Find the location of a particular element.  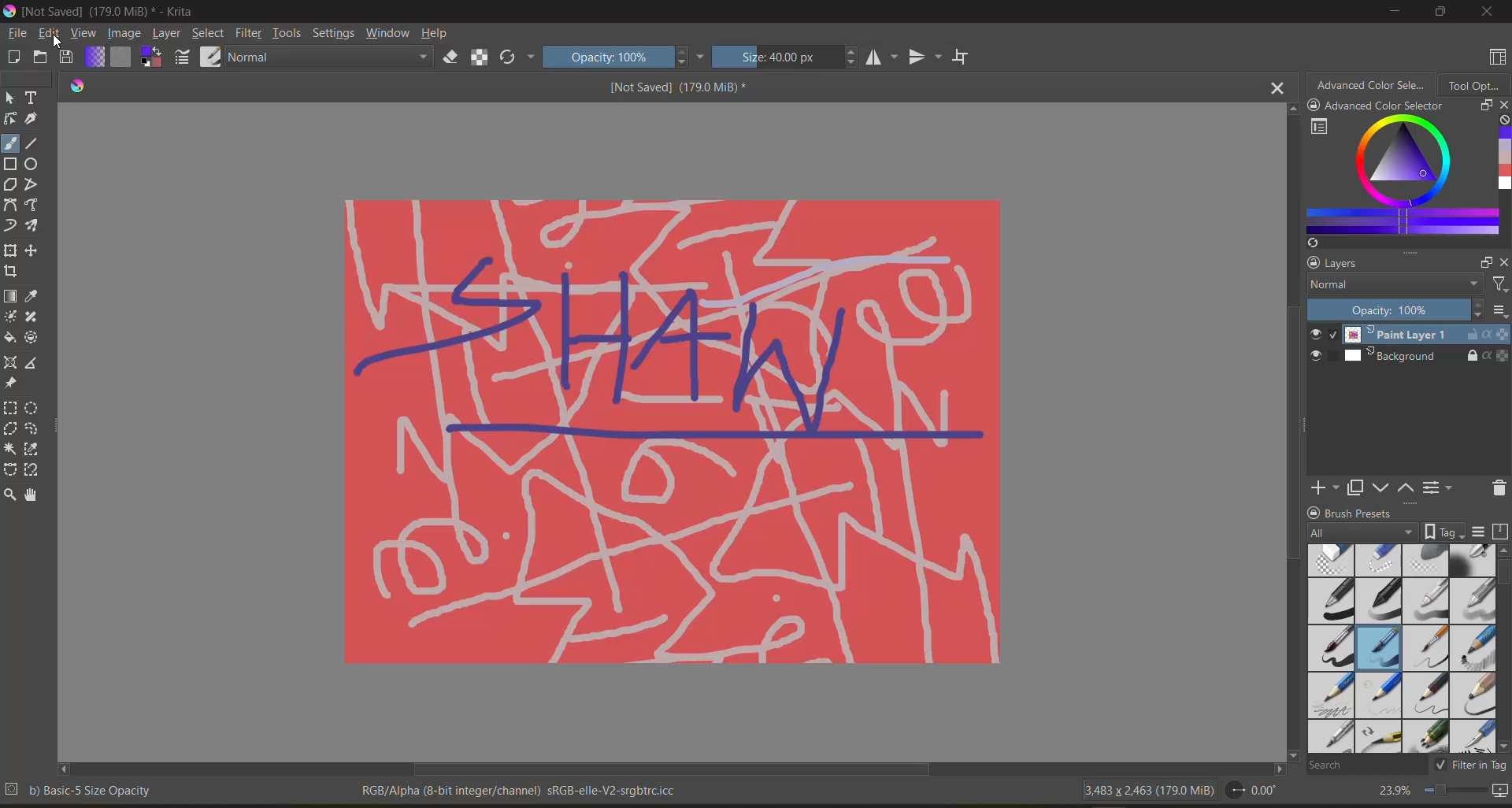

fill pattern is located at coordinates (122, 55).